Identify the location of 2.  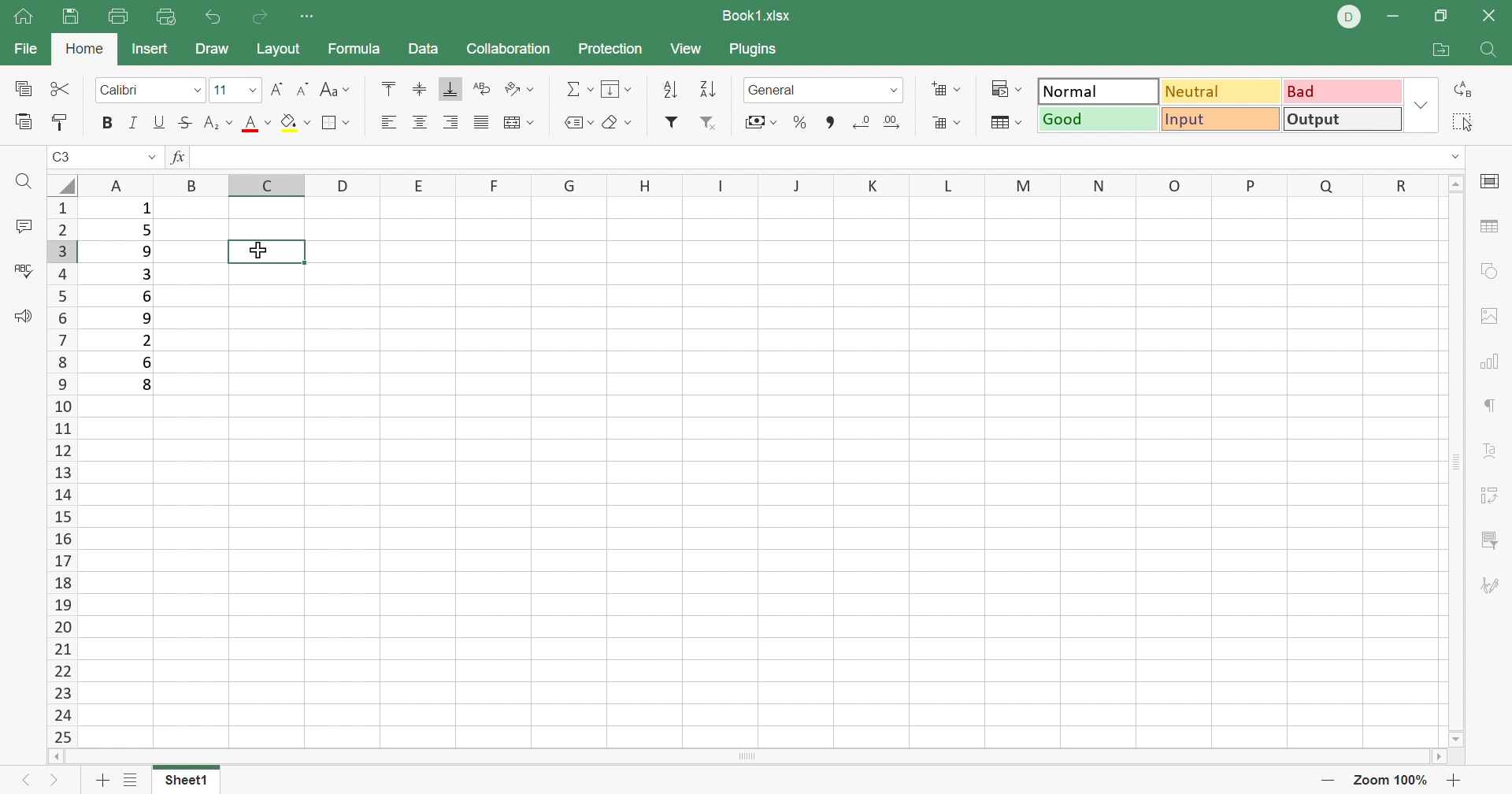
(147, 339).